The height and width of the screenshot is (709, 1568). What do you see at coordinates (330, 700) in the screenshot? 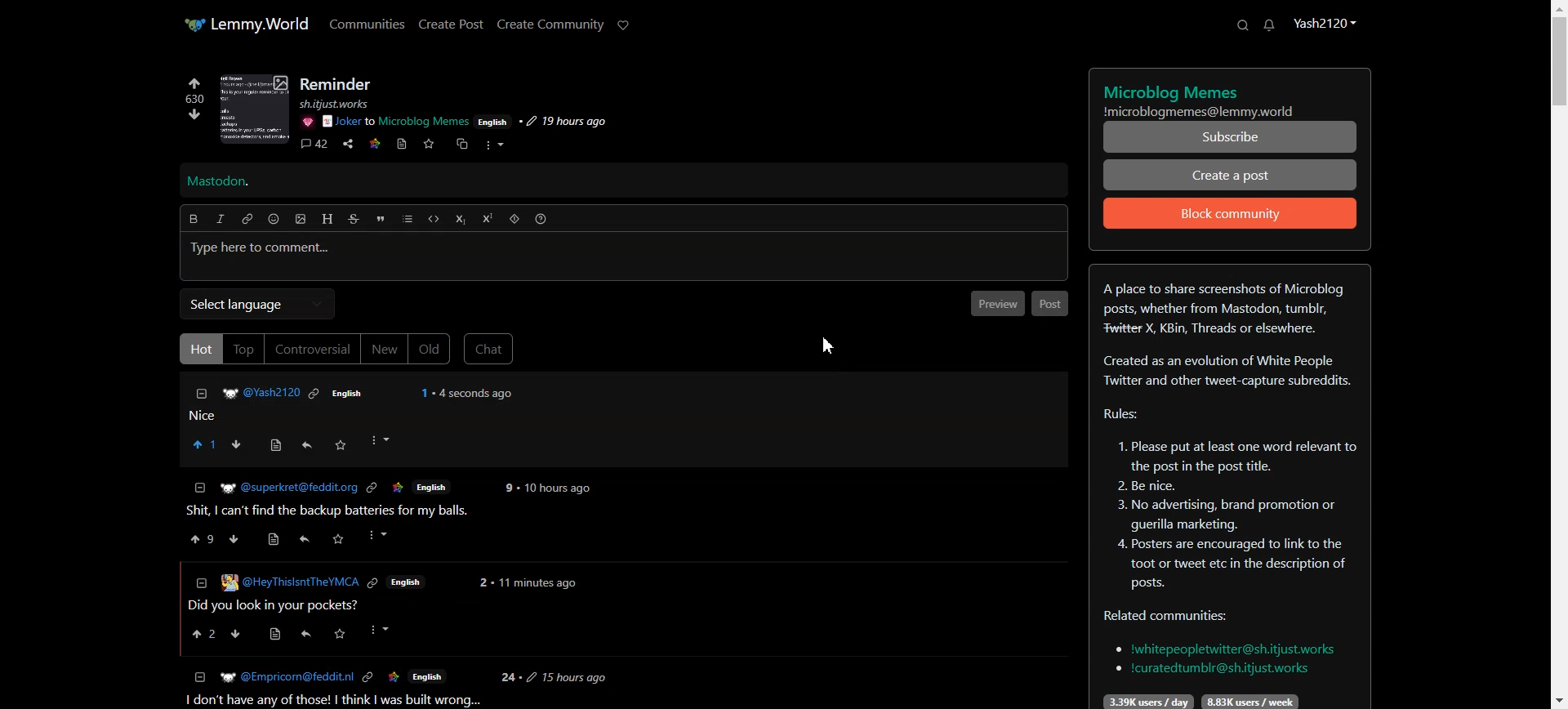
I see `I don’t have any of those! | think | was built wrong...` at bounding box center [330, 700].